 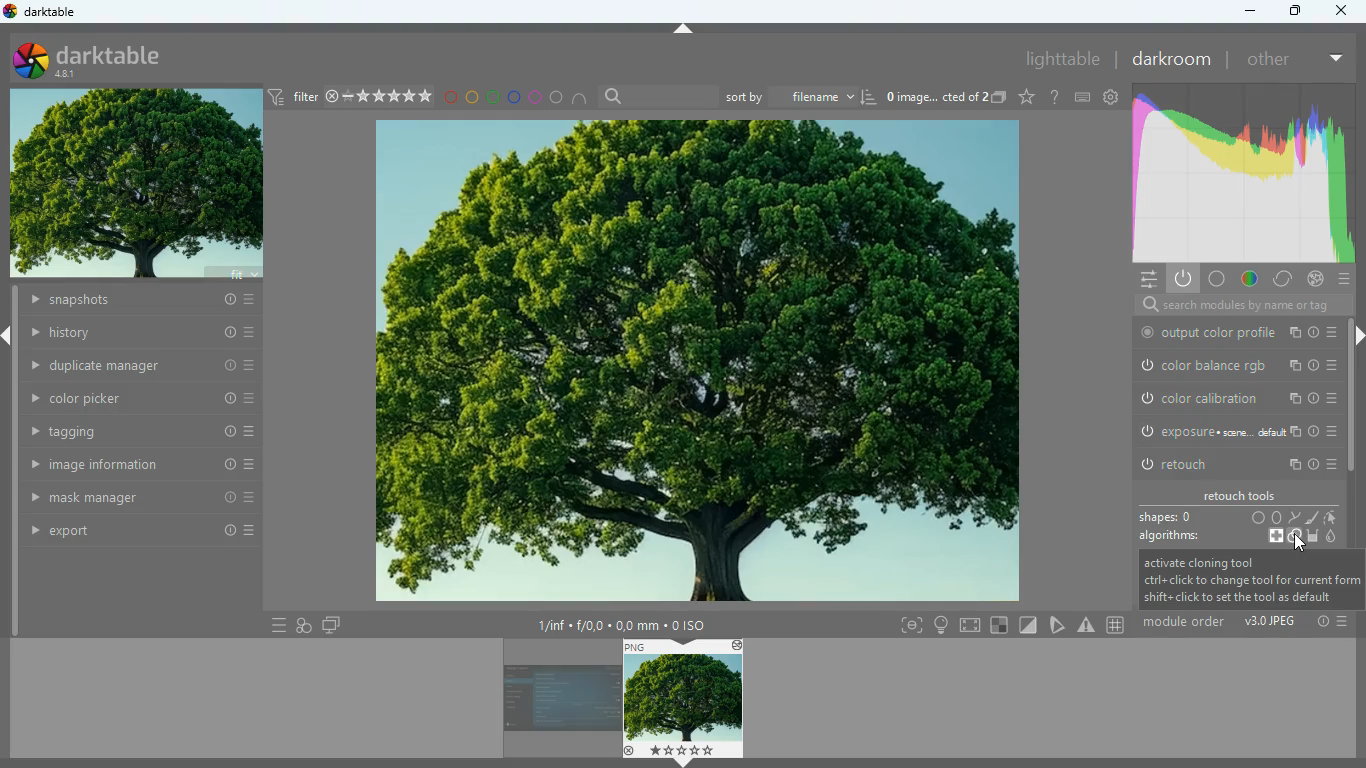 I want to click on color balance rgb, so click(x=1233, y=365).